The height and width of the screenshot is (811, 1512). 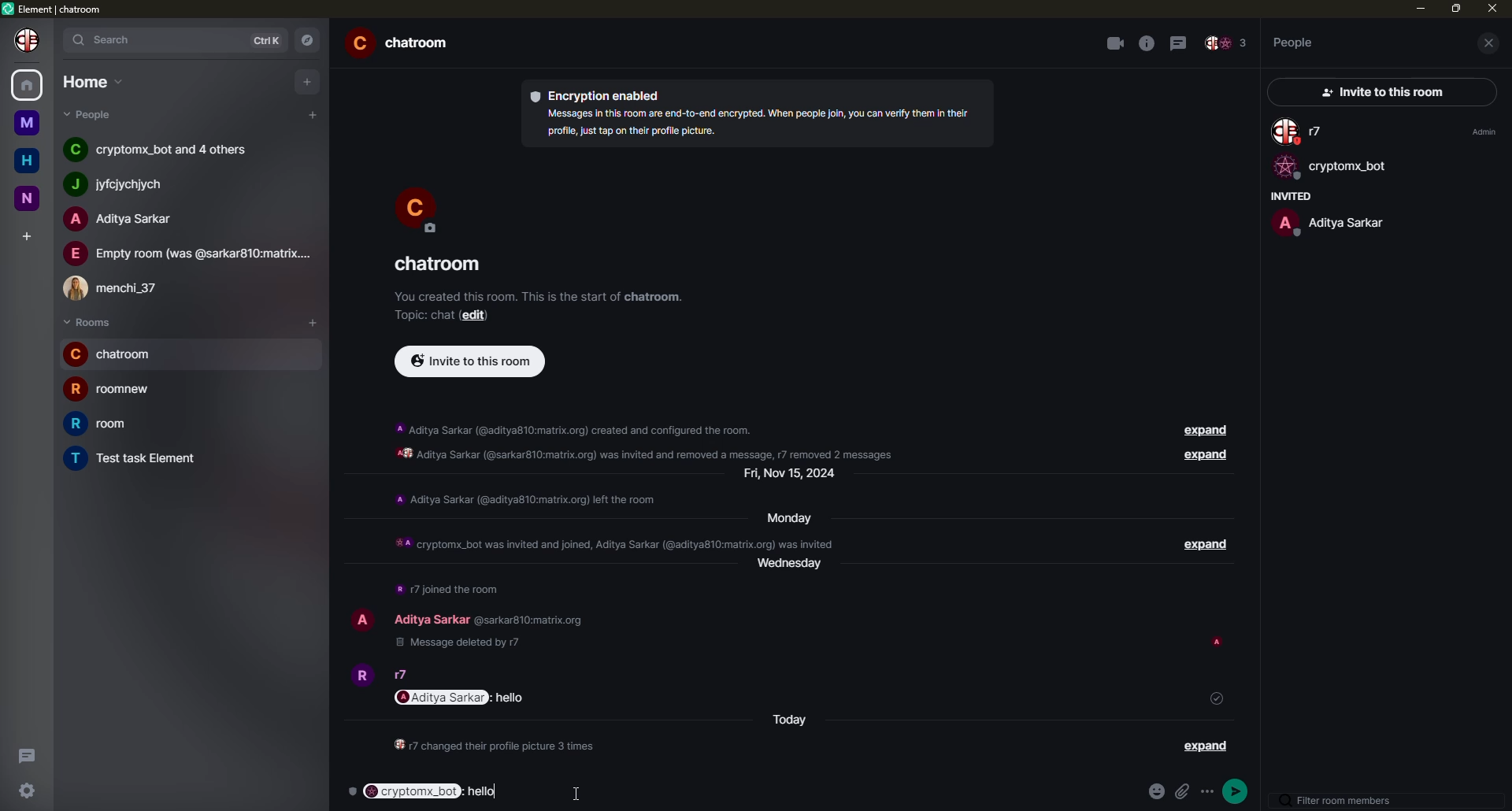 I want to click on people, so click(x=97, y=114).